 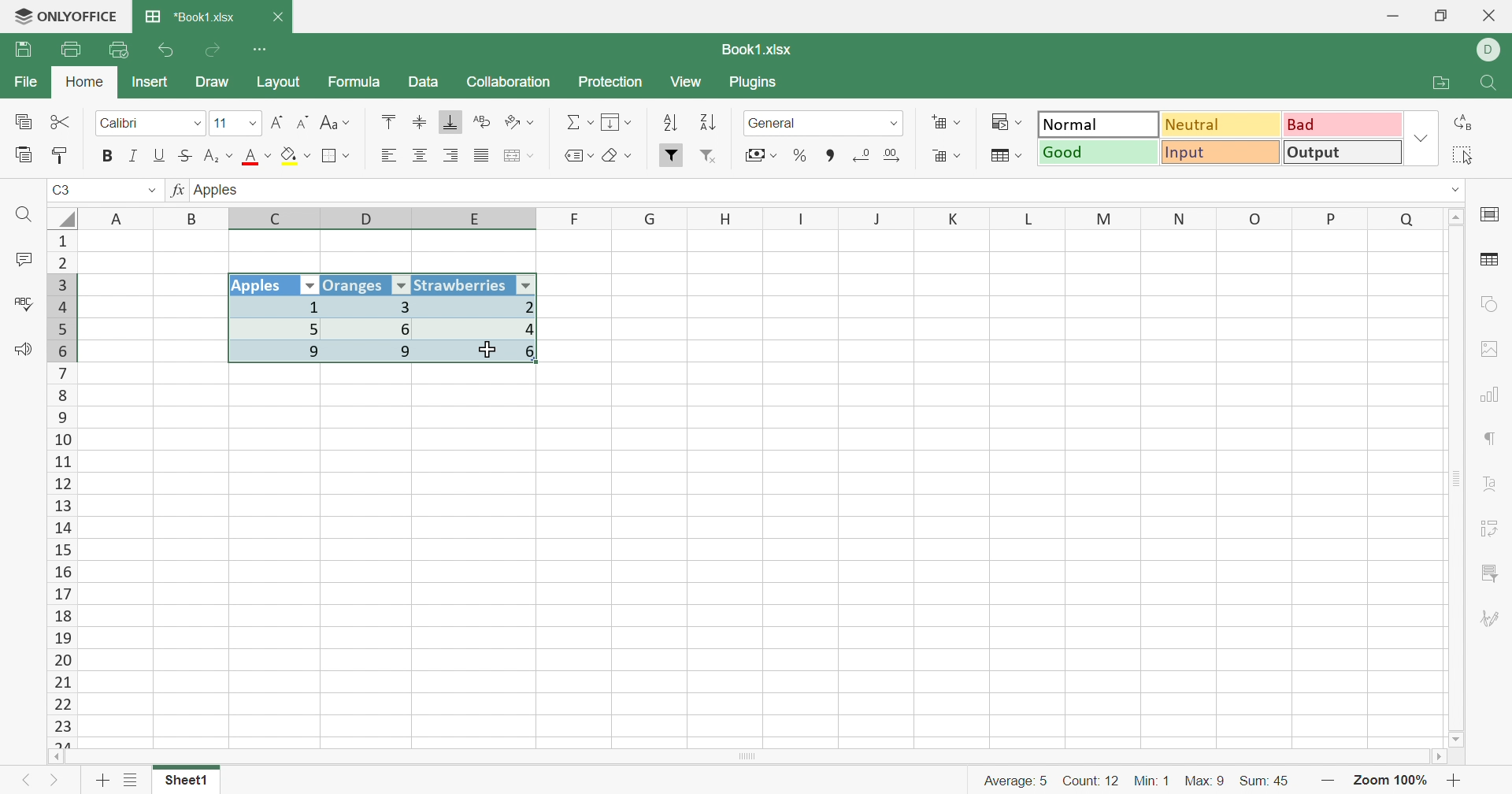 I want to click on Drop down, so click(x=895, y=123).